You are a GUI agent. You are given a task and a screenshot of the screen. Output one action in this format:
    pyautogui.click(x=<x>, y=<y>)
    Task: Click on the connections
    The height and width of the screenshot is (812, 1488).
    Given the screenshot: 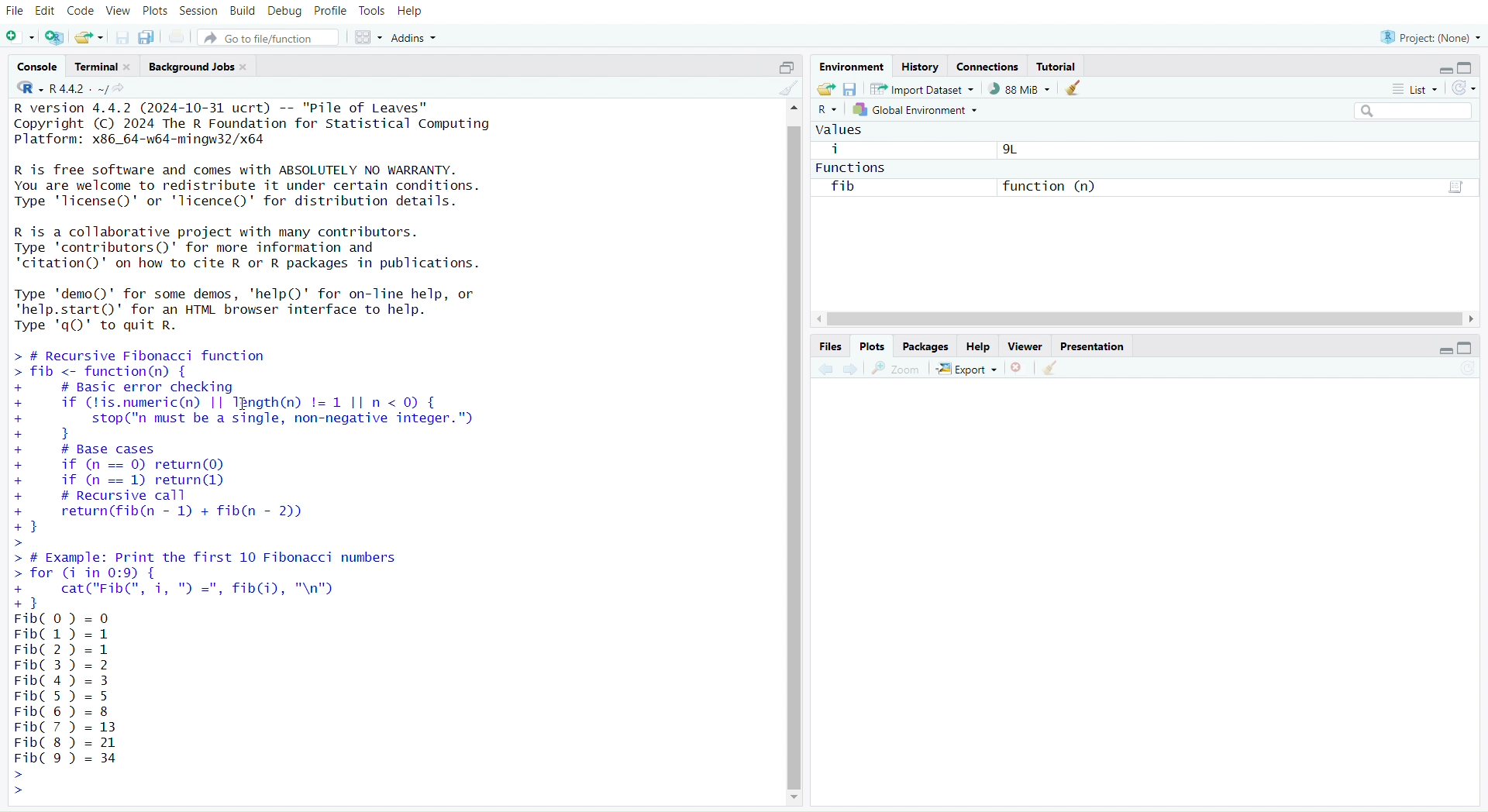 What is the action you would take?
    pyautogui.click(x=987, y=67)
    